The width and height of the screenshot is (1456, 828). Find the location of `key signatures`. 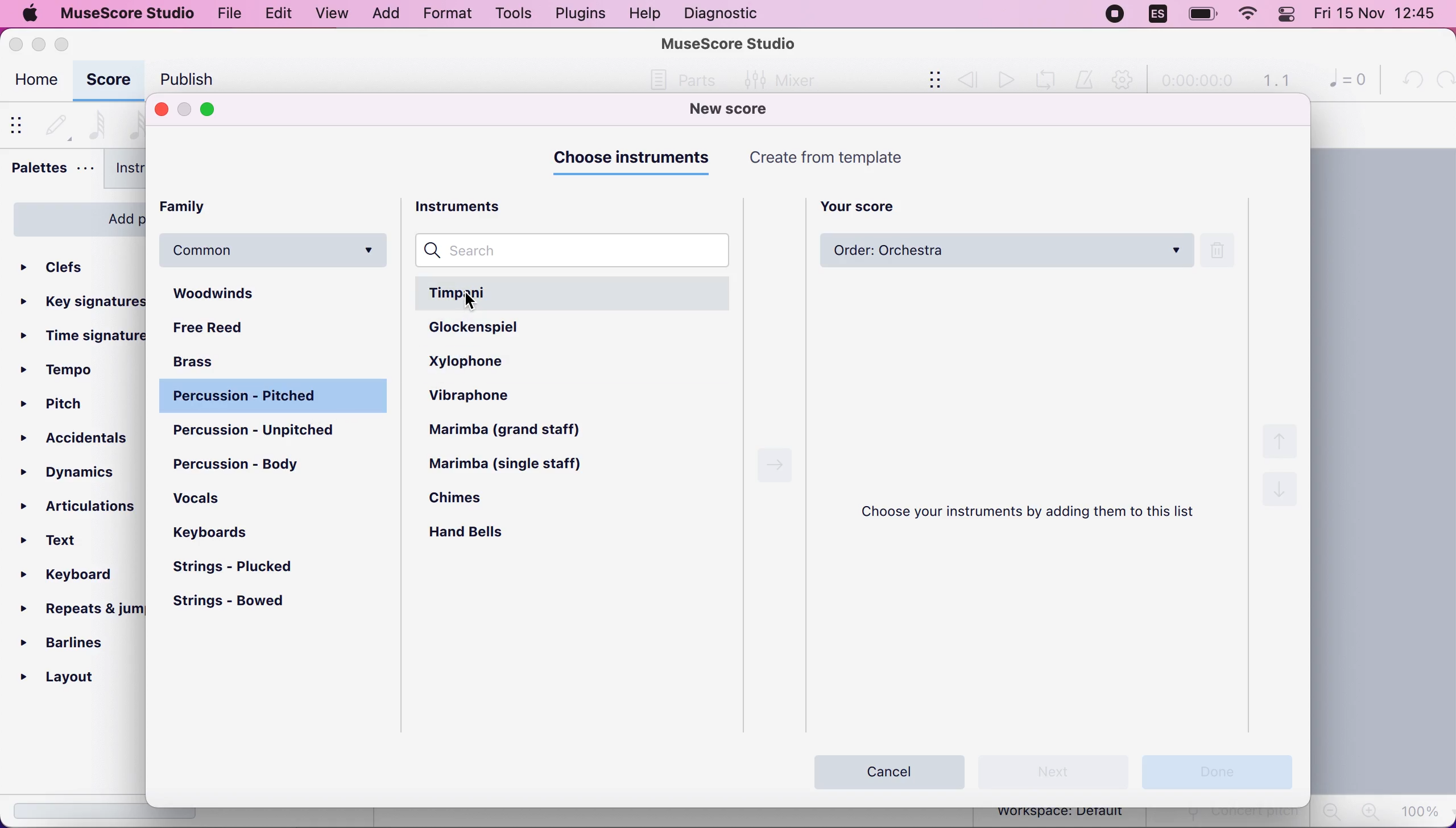

key signatures is located at coordinates (84, 299).